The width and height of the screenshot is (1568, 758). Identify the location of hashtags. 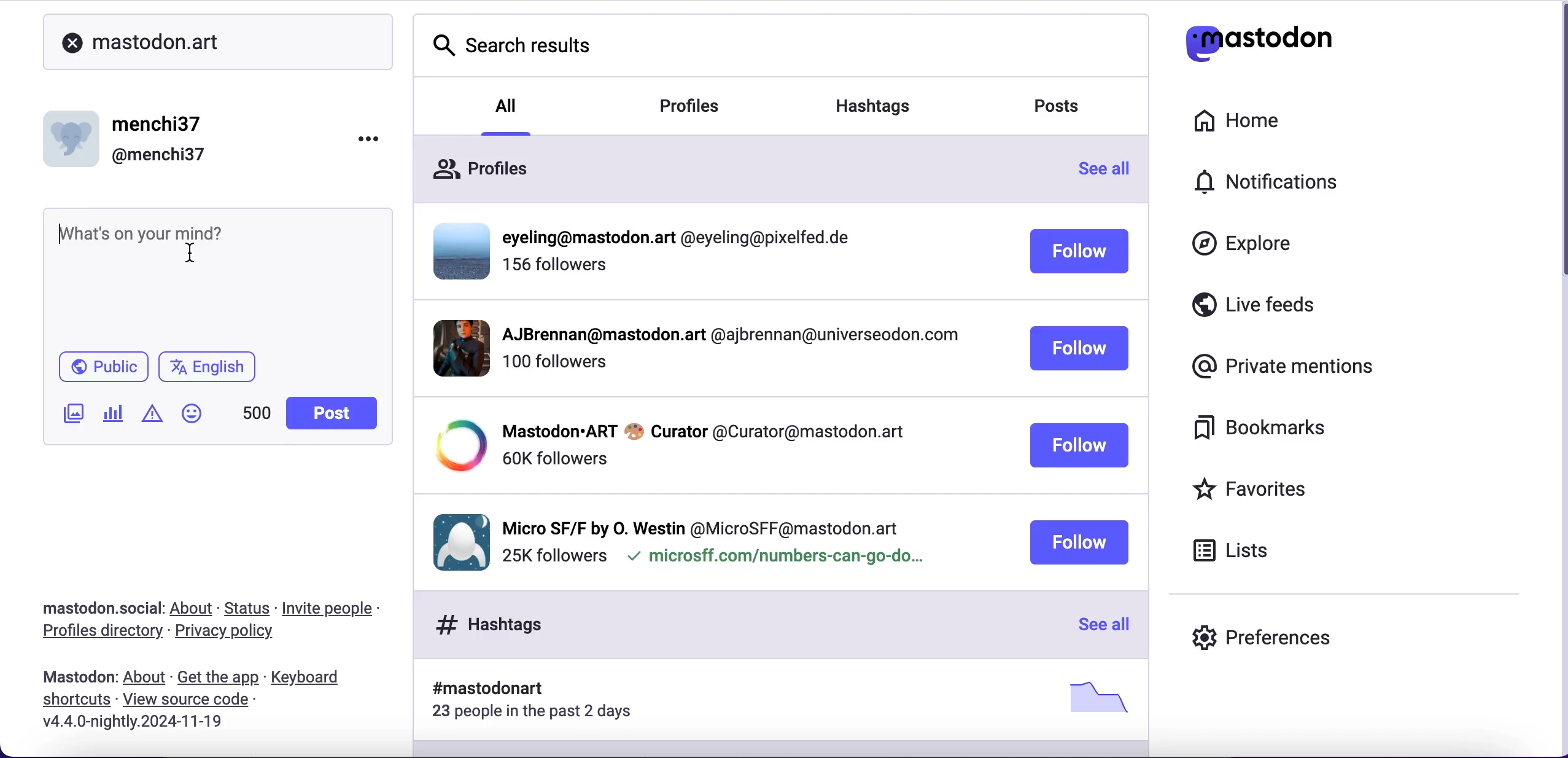
(733, 624).